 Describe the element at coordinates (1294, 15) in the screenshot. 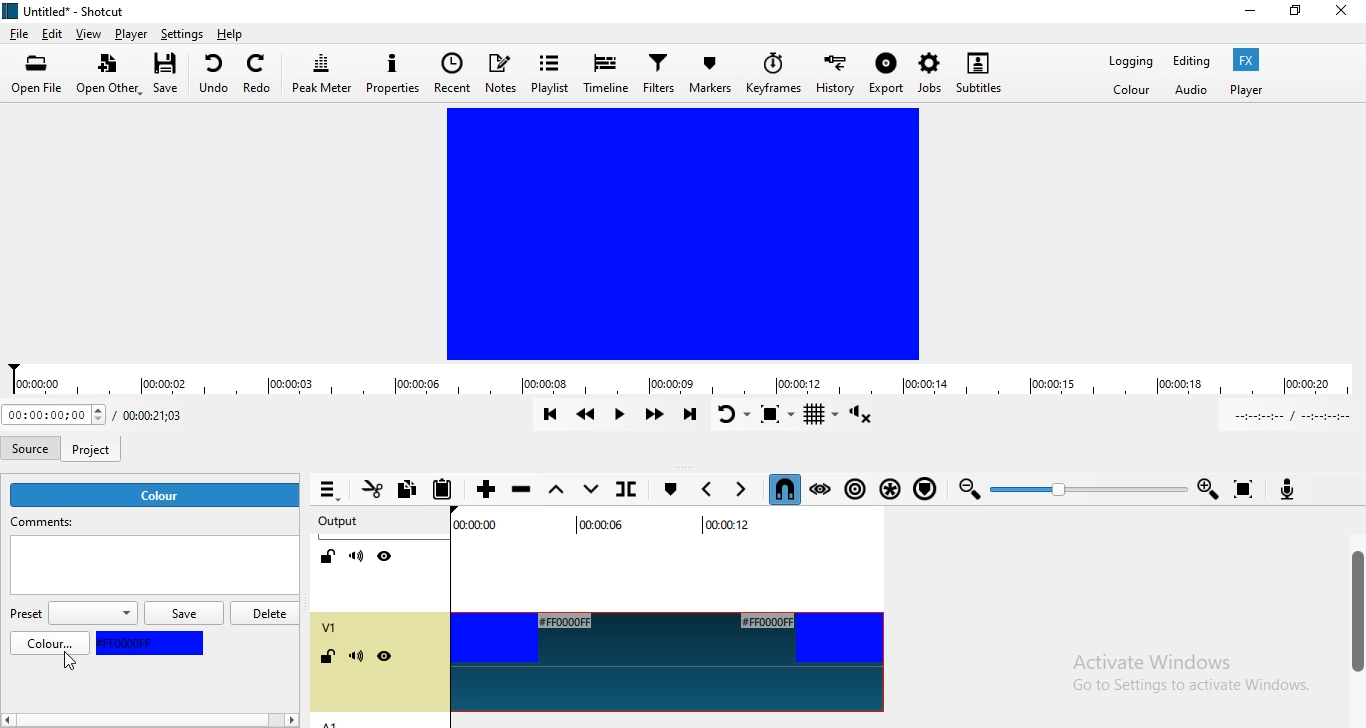

I see `restore` at that location.